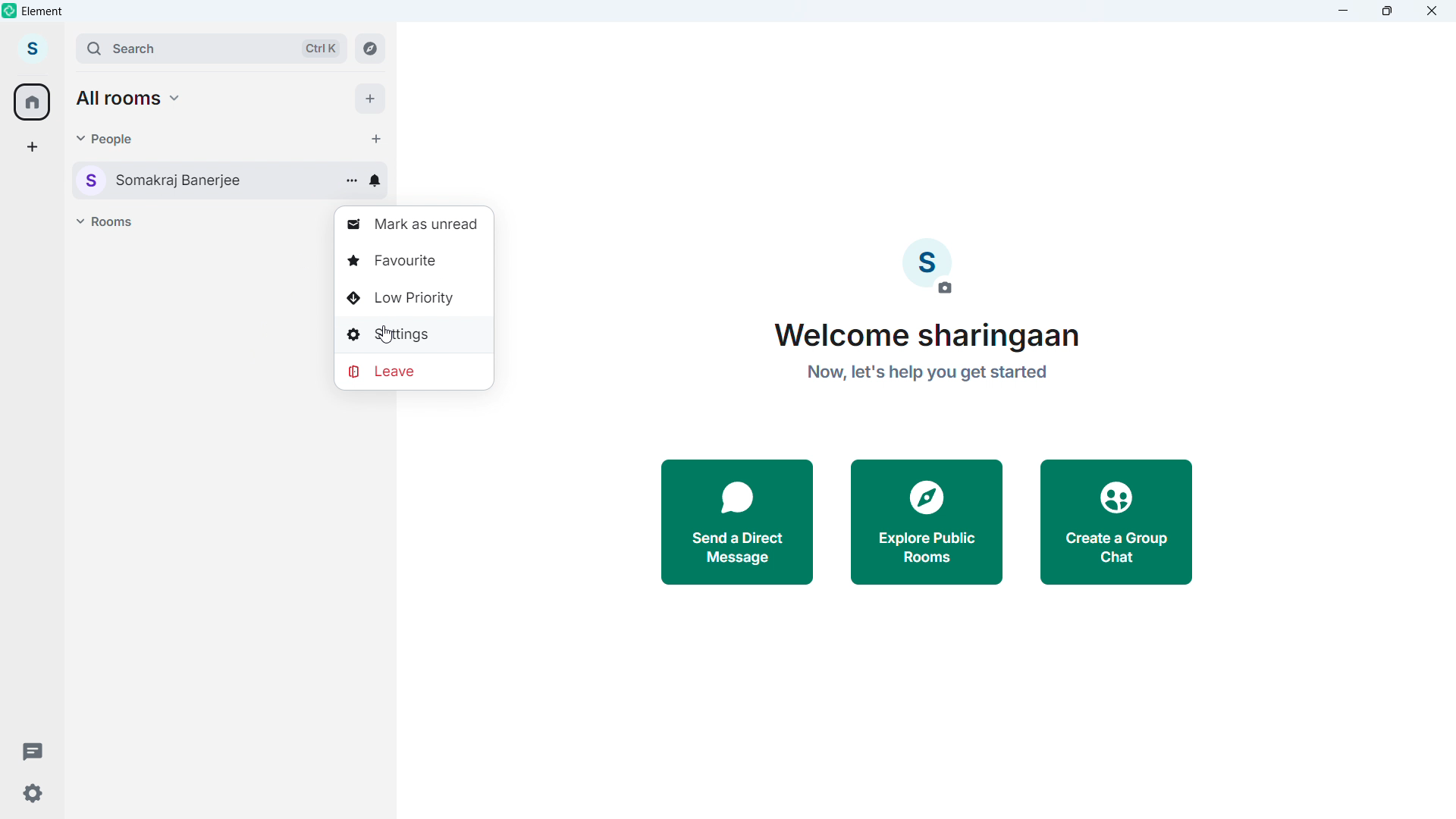  What do you see at coordinates (411, 371) in the screenshot?
I see `Leave ` at bounding box center [411, 371].